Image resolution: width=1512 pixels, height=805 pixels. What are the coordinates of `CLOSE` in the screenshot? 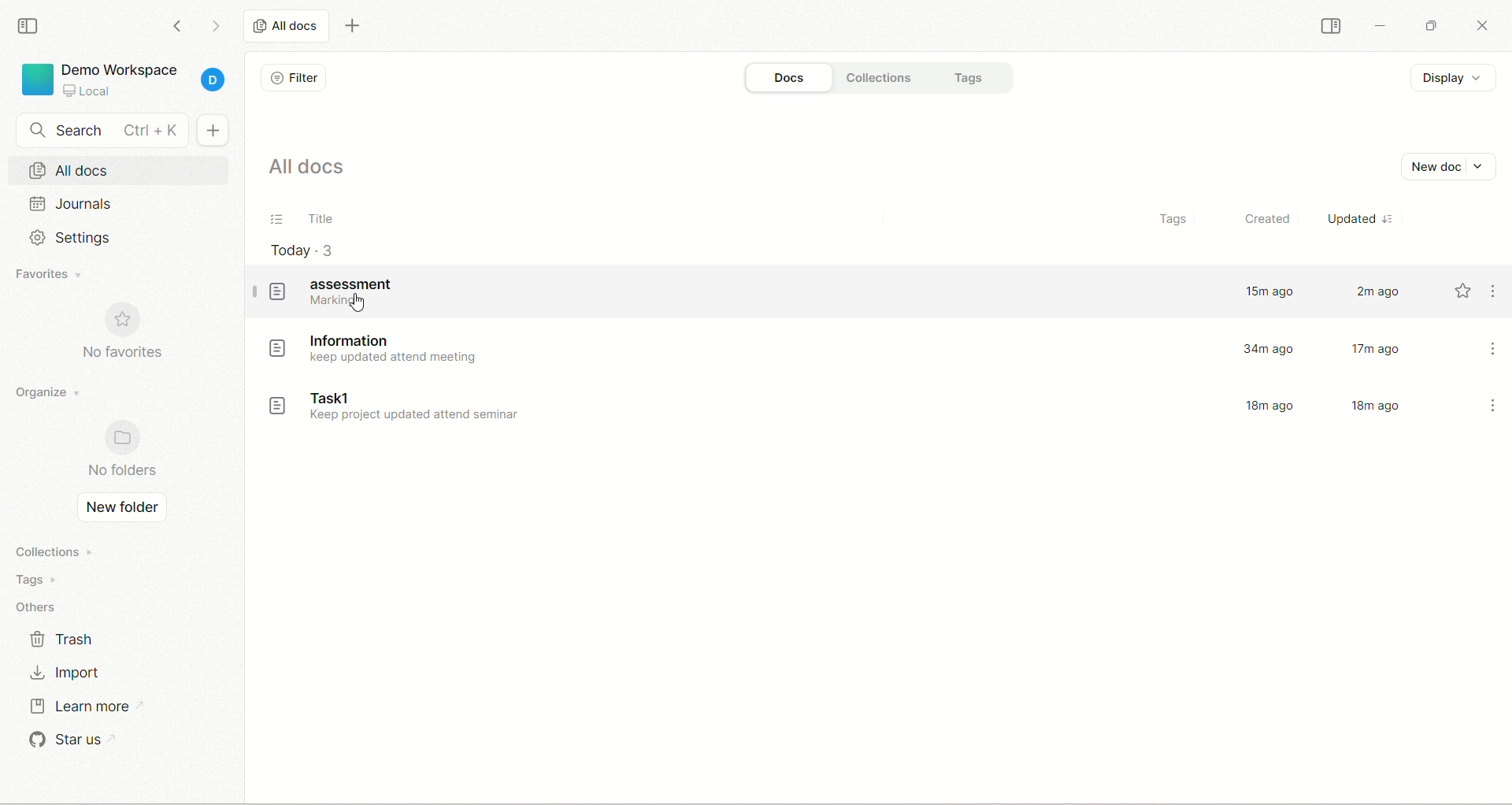 It's located at (1478, 22).